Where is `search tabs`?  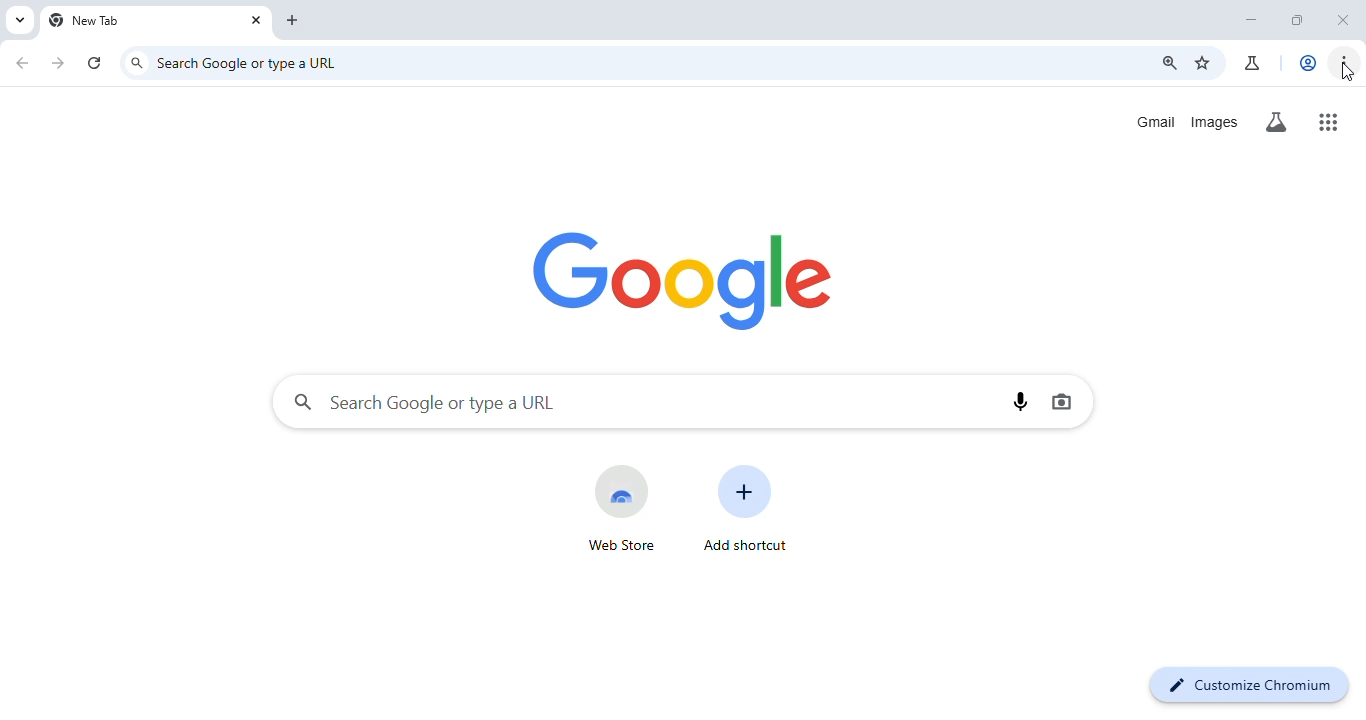 search tabs is located at coordinates (20, 19).